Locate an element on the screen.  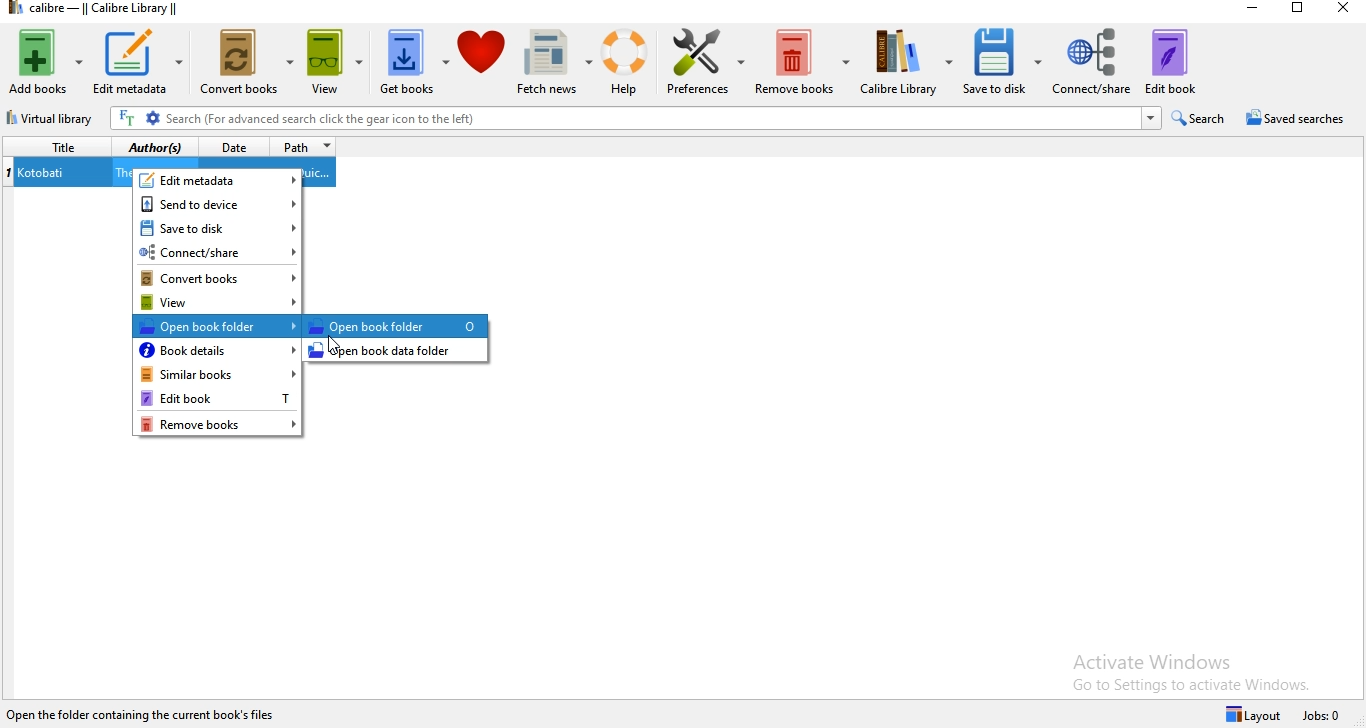
help is located at coordinates (621, 61).